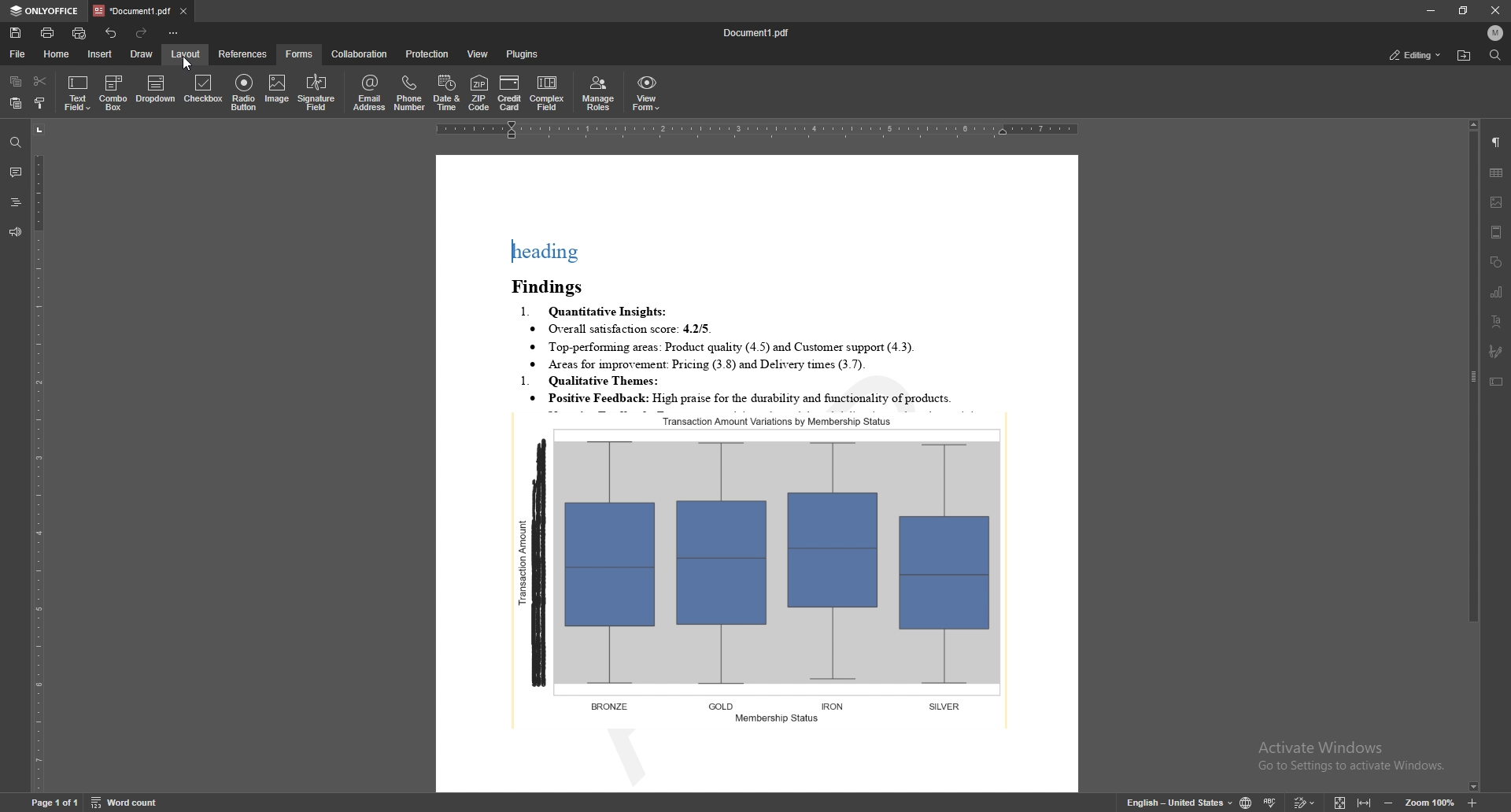  I want to click on file, so click(20, 54).